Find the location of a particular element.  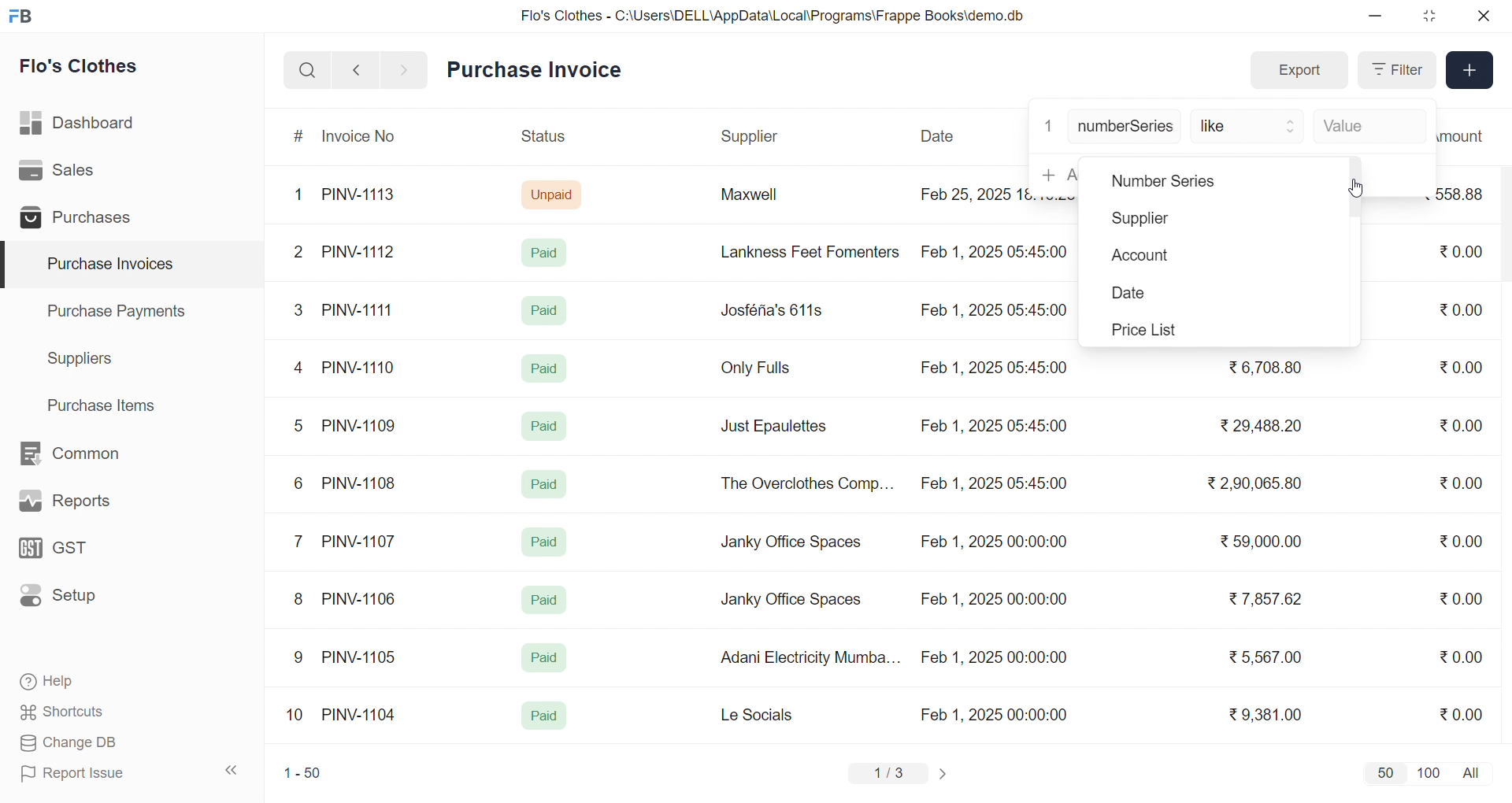

Paid is located at coordinates (545, 310).